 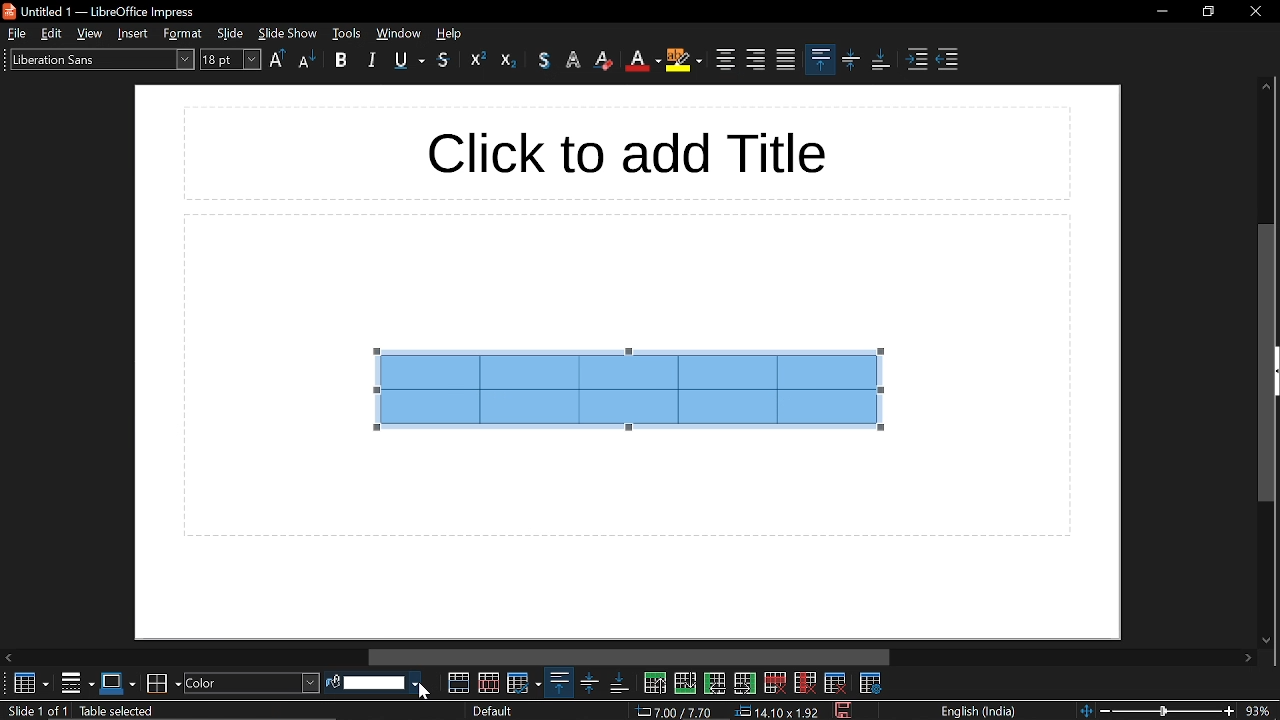 What do you see at coordinates (676, 712) in the screenshot?
I see `cursor co-ordinate` at bounding box center [676, 712].